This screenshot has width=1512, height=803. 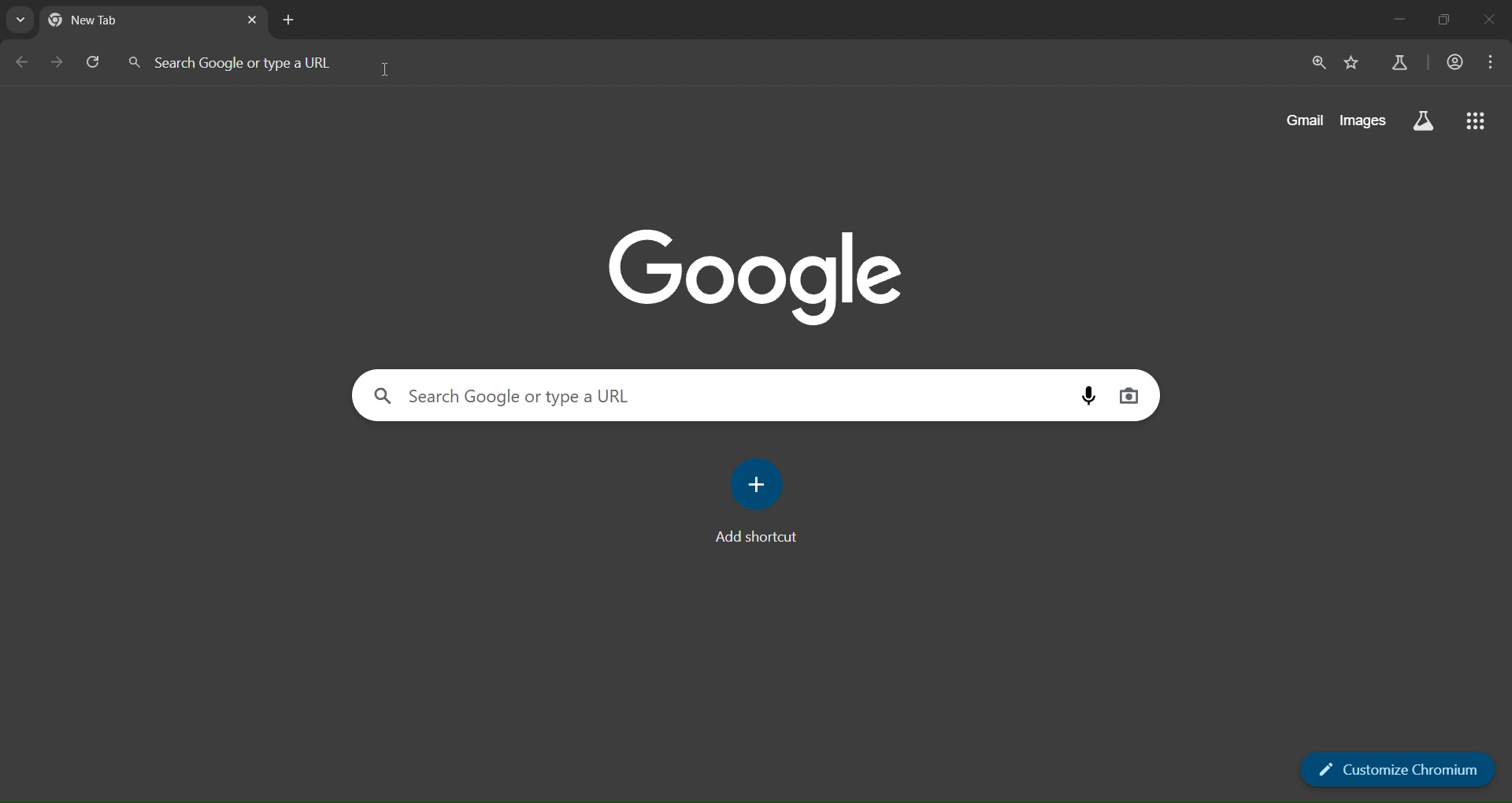 What do you see at coordinates (390, 69) in the screenshot?
I see `cursor` at bounding box center [390, 69].